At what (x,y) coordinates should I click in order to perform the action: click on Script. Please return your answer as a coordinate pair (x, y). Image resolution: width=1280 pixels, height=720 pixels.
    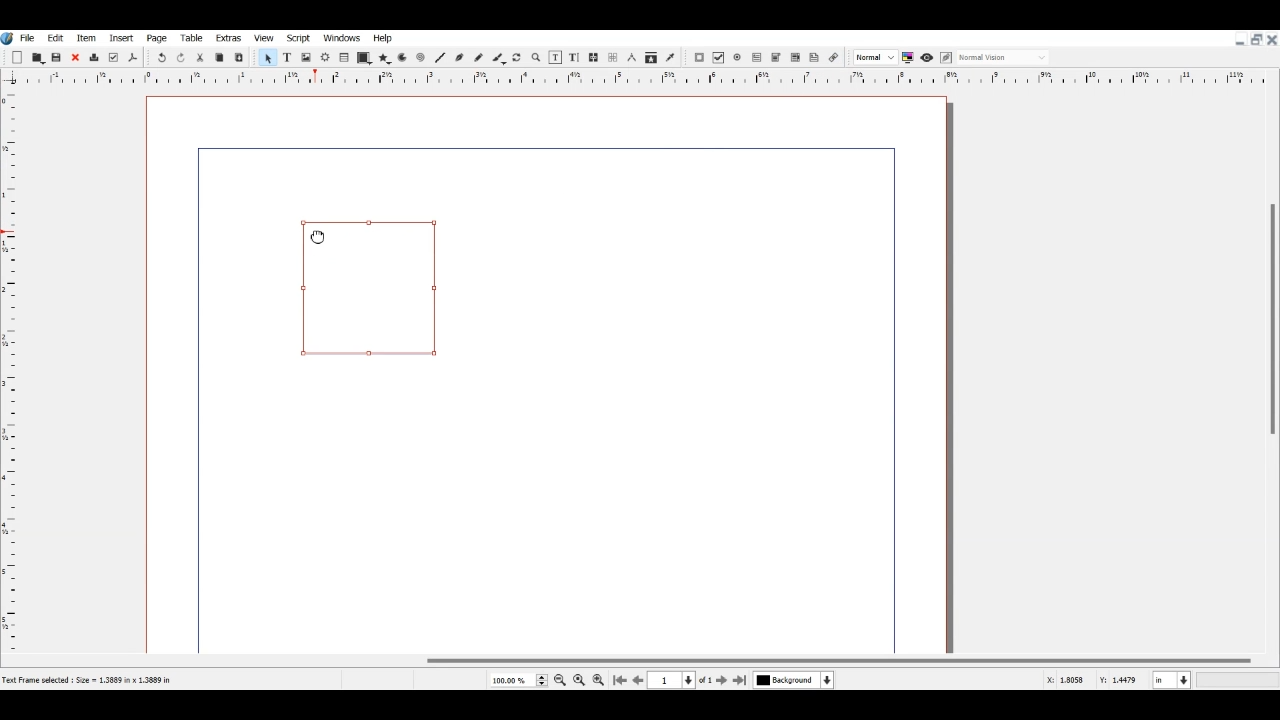
    Looking at the image, I should click on (300, 37).